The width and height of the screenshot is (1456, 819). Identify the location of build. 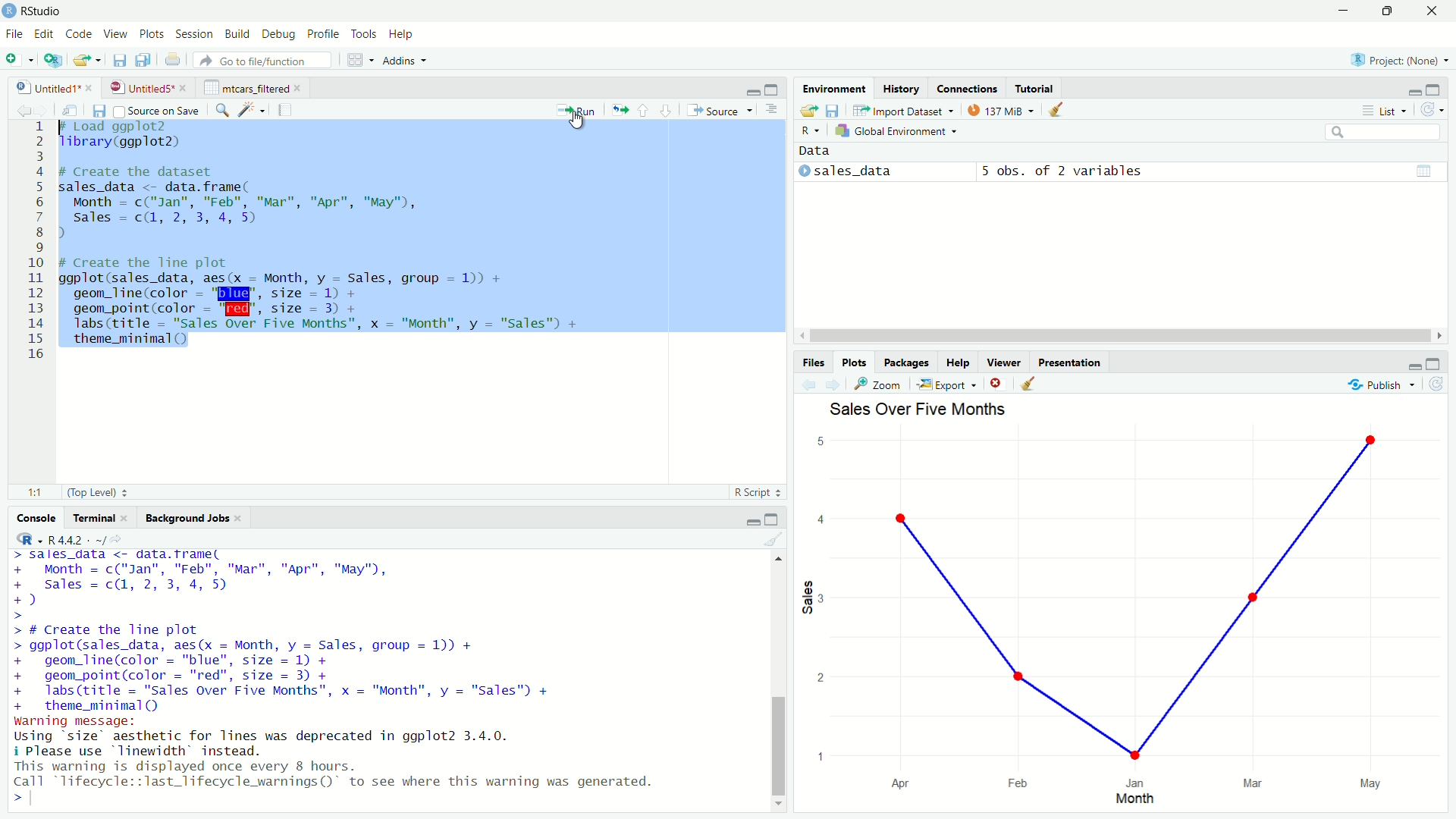
(239, 34).